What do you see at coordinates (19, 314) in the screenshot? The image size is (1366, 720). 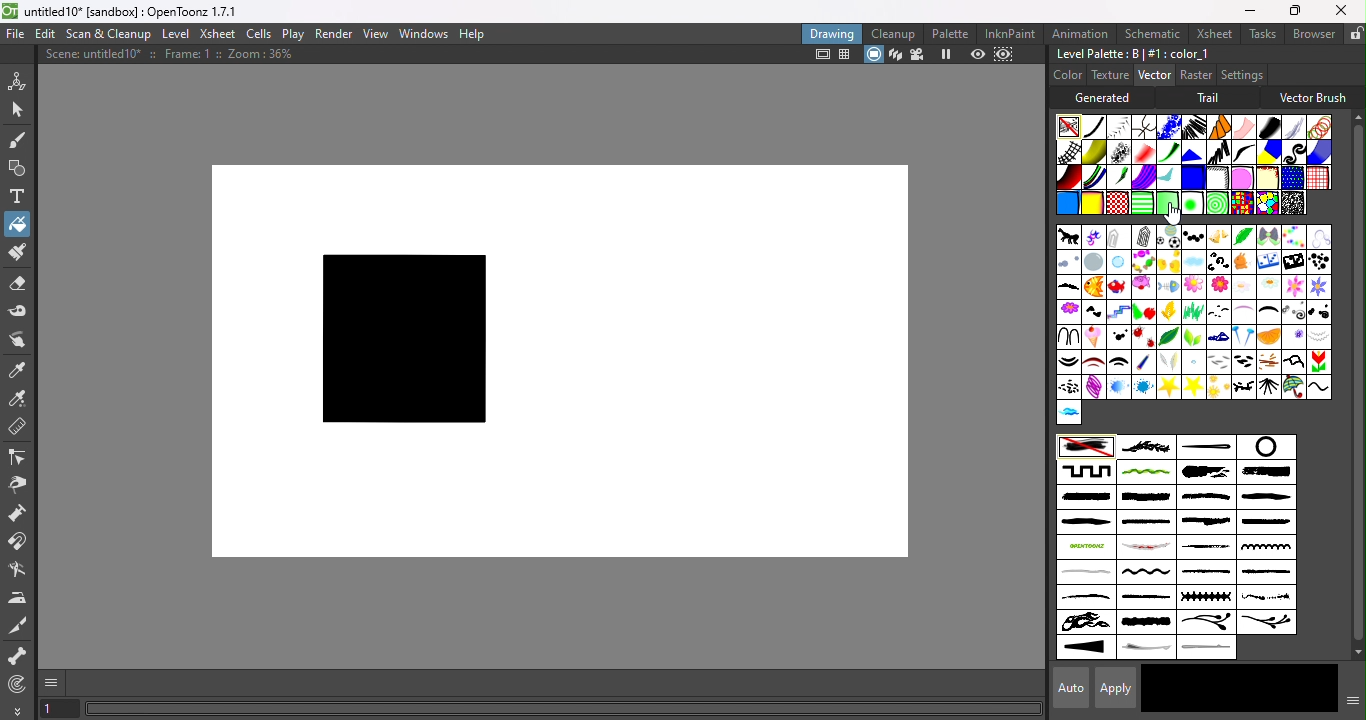 I see `Tape tool` at bounding box center [19, 314].